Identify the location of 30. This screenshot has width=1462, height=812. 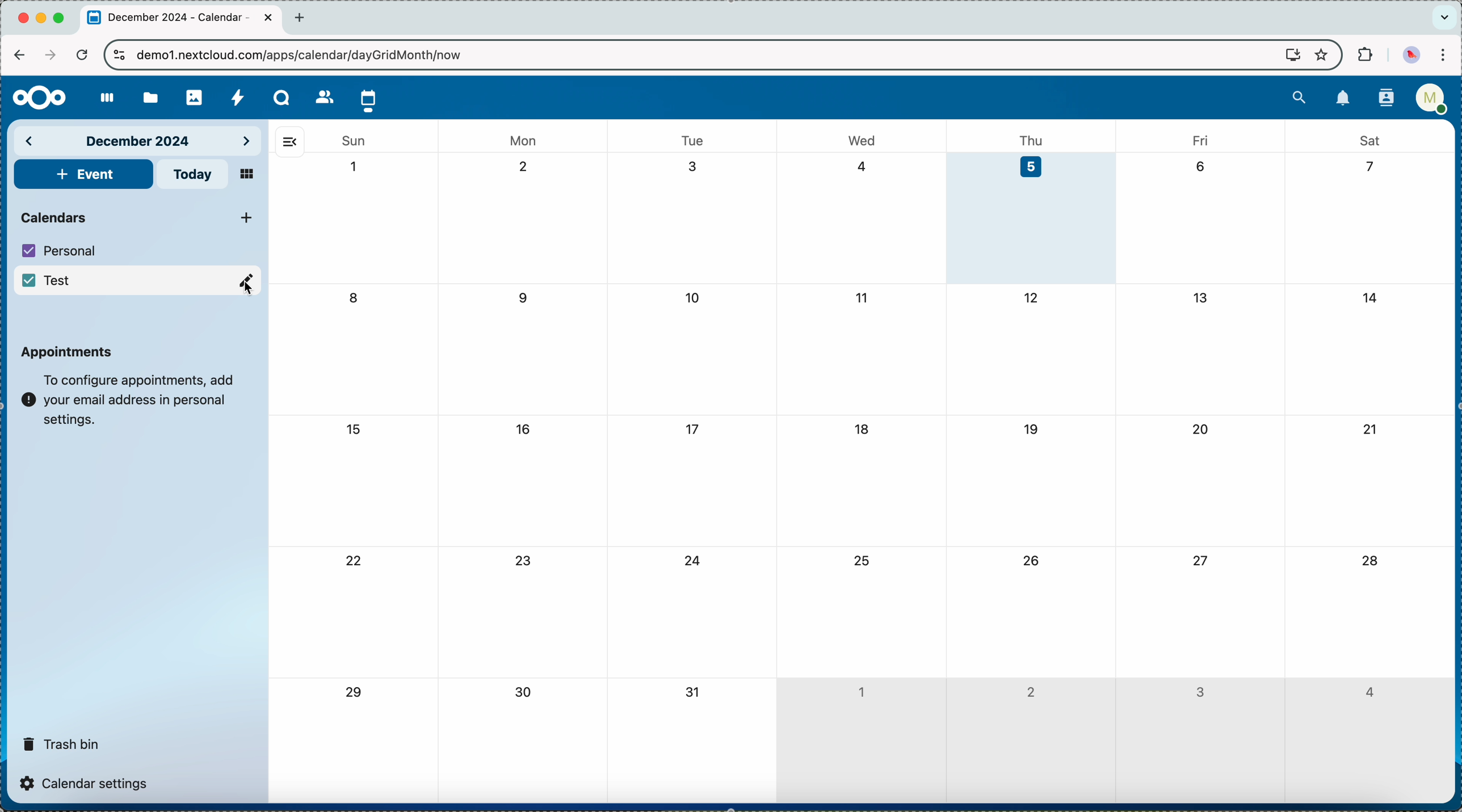
(527, 694).